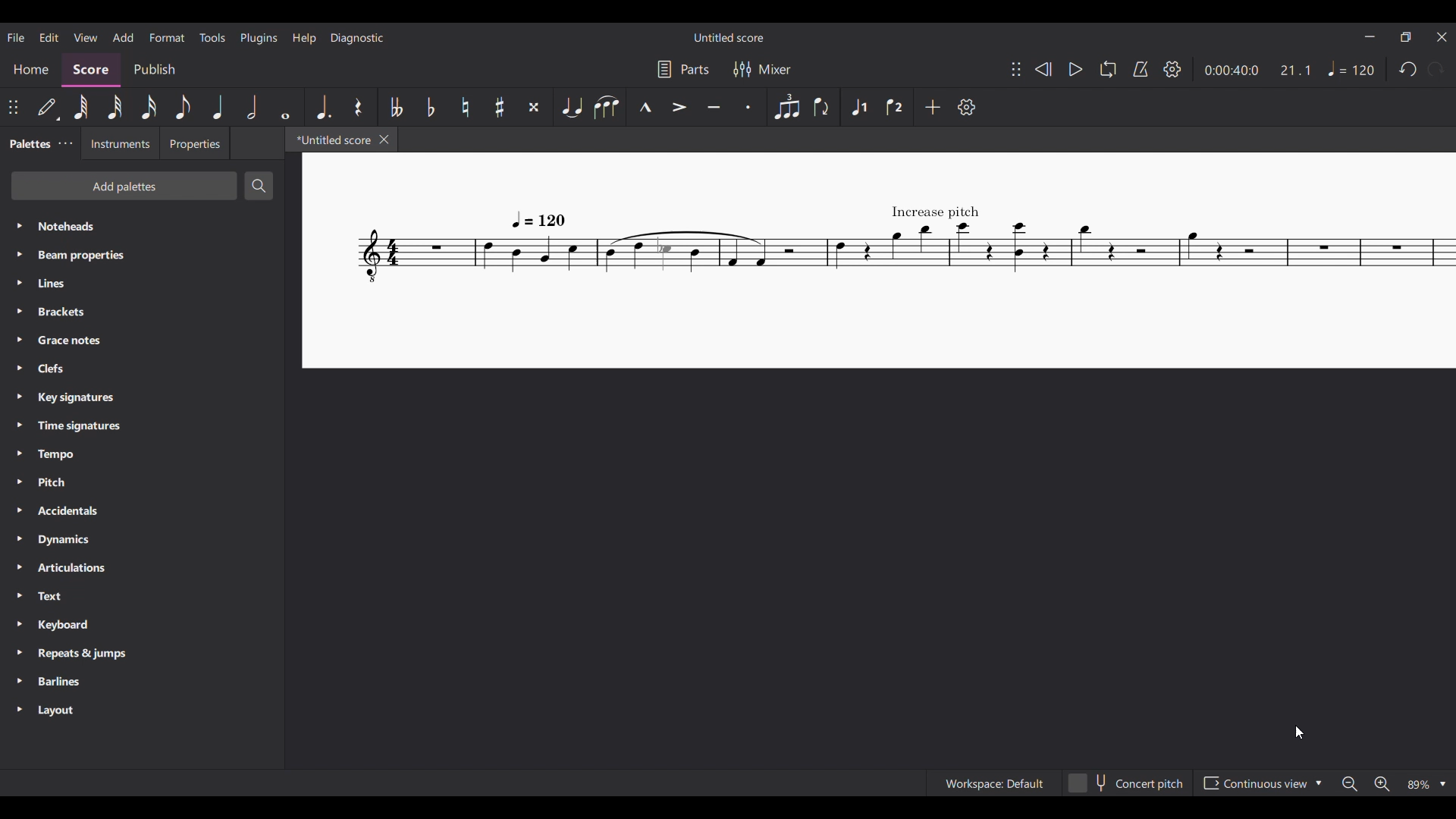 The width and height of the screenshot is (1456, 819). What do you see at coordinates (384, 140) in the screenshot?
I see `Close tab` at bounding box center [384, 140].